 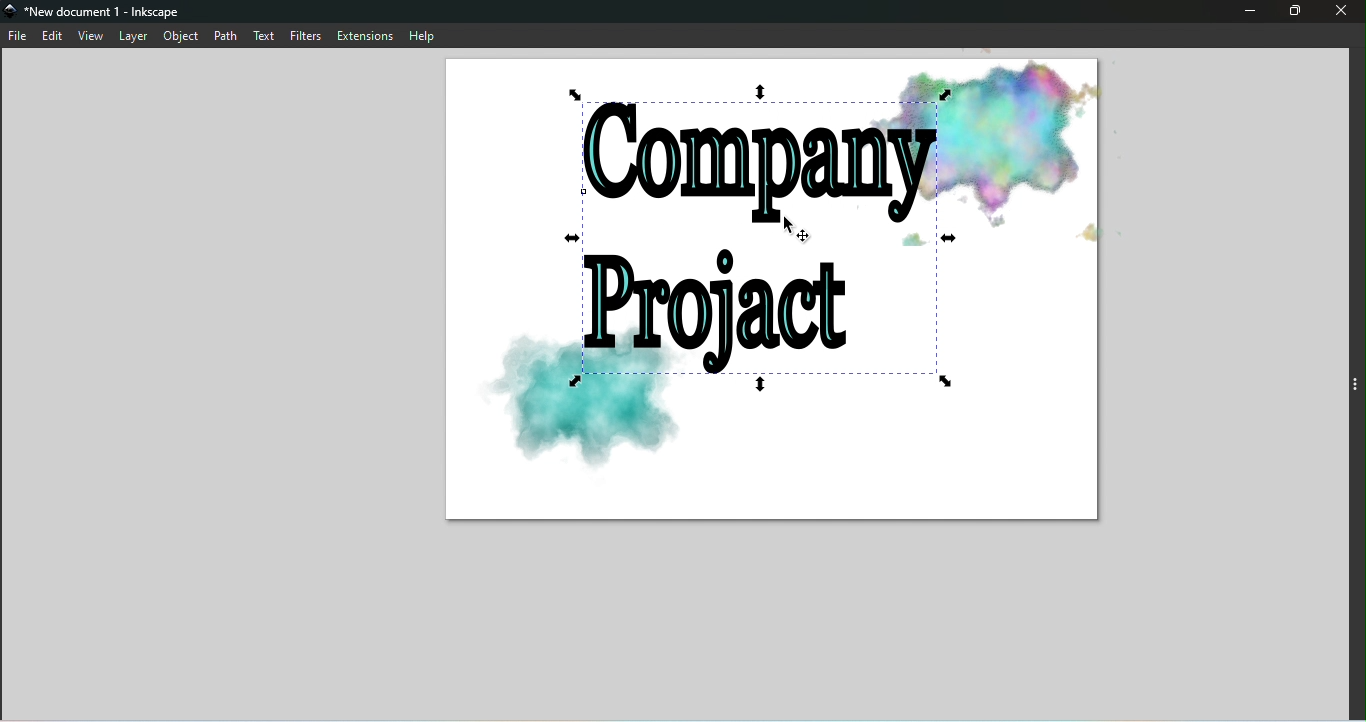 I want to click on Object, so click(x=181, y=37).